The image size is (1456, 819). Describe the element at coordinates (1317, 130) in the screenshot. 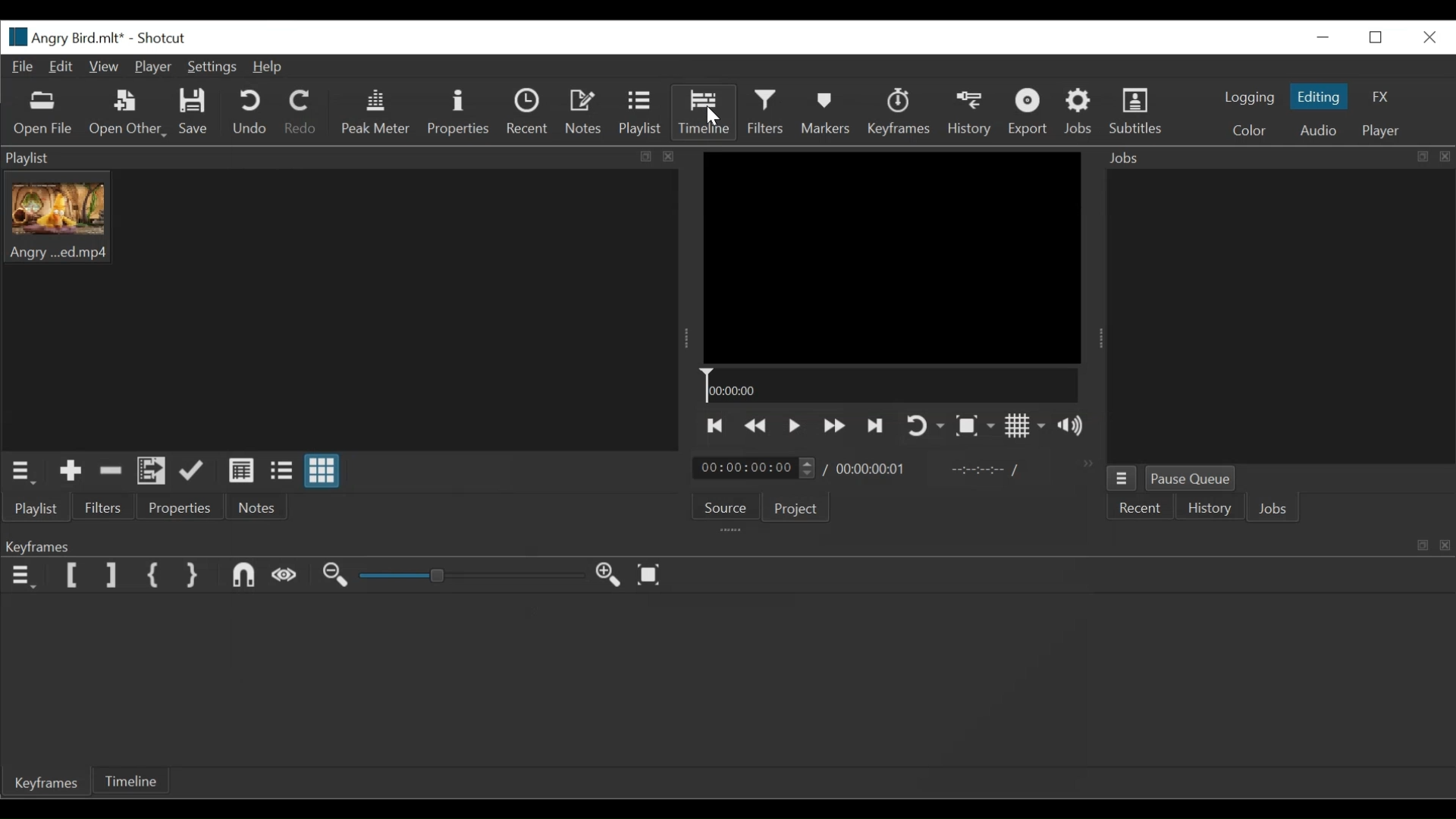

I see `Audio` at that location.